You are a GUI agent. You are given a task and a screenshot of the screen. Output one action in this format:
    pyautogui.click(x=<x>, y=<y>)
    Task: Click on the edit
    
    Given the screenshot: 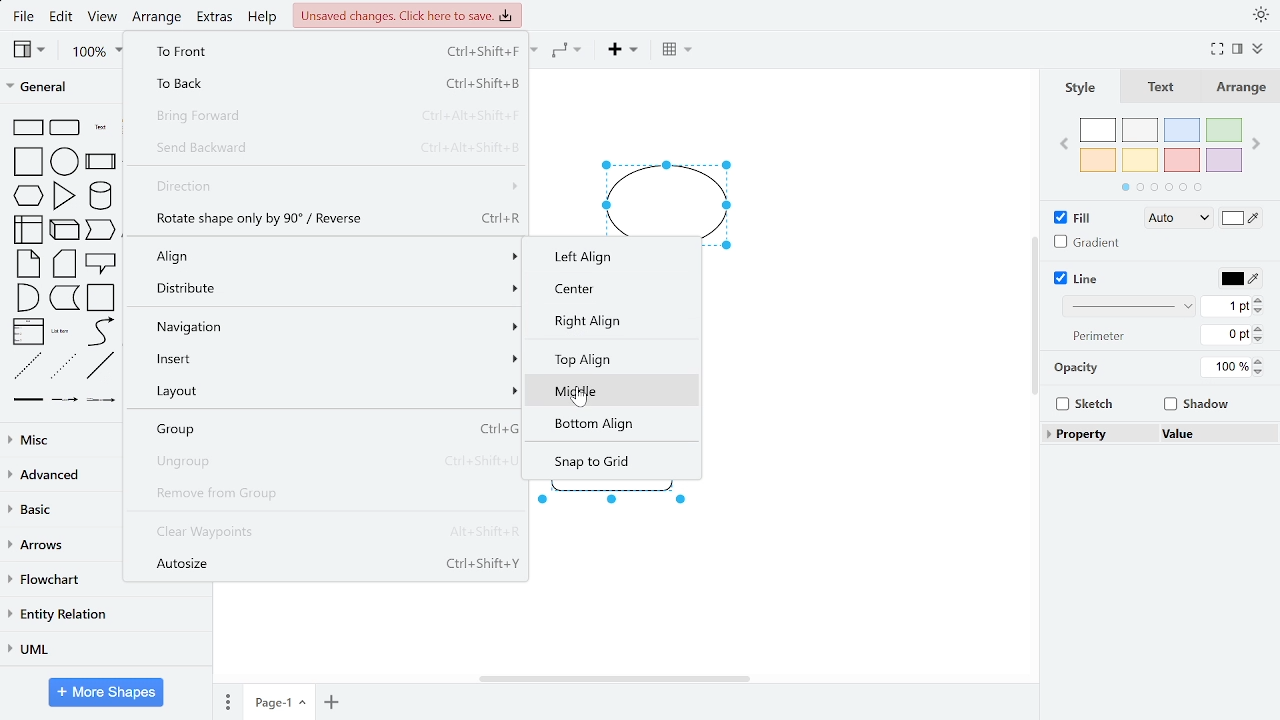 What is the action you would take?
    pyautogui.click(x=64, y=18)
    